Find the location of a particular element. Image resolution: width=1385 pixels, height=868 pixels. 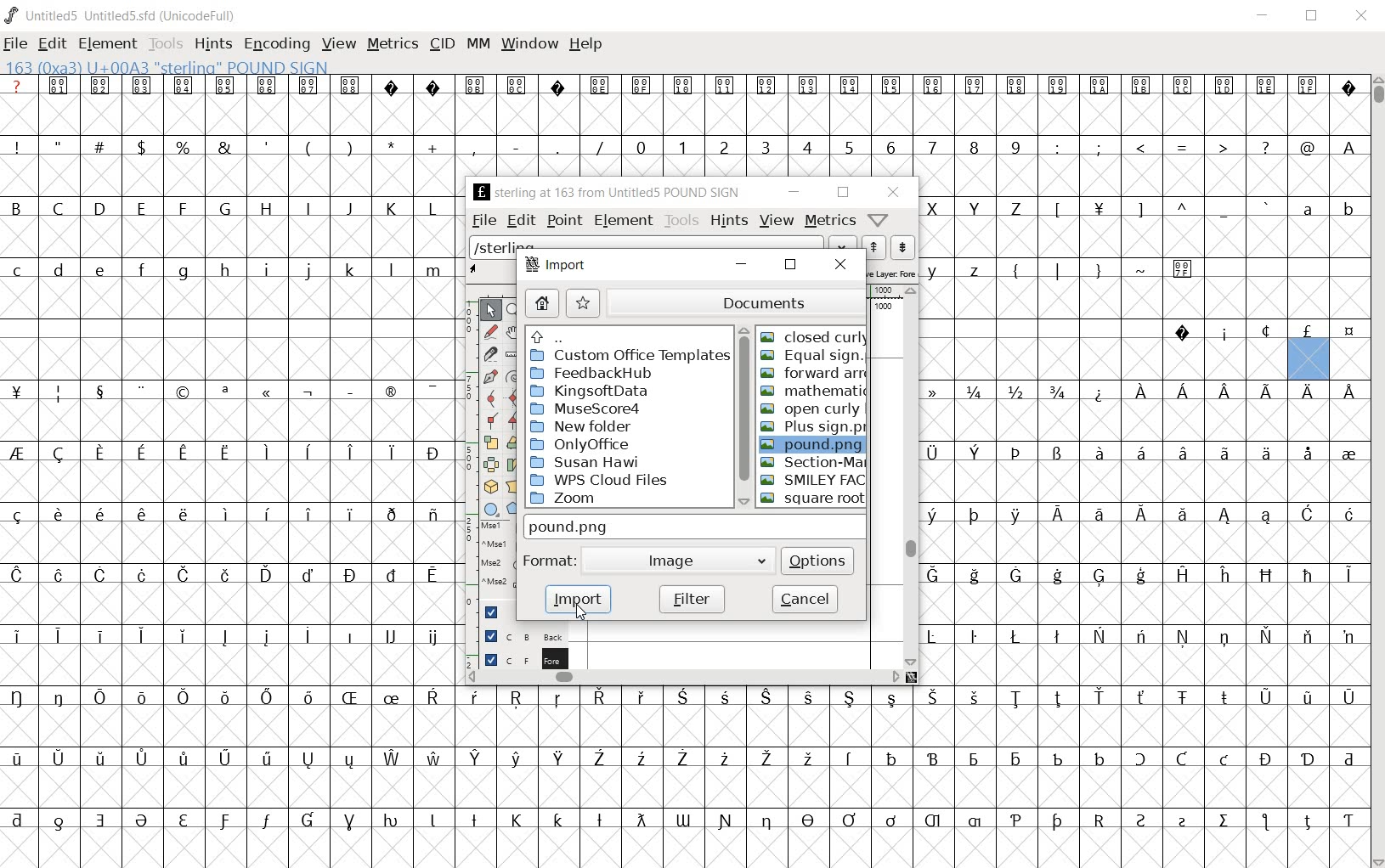

point is located at coordinates (491, 311).